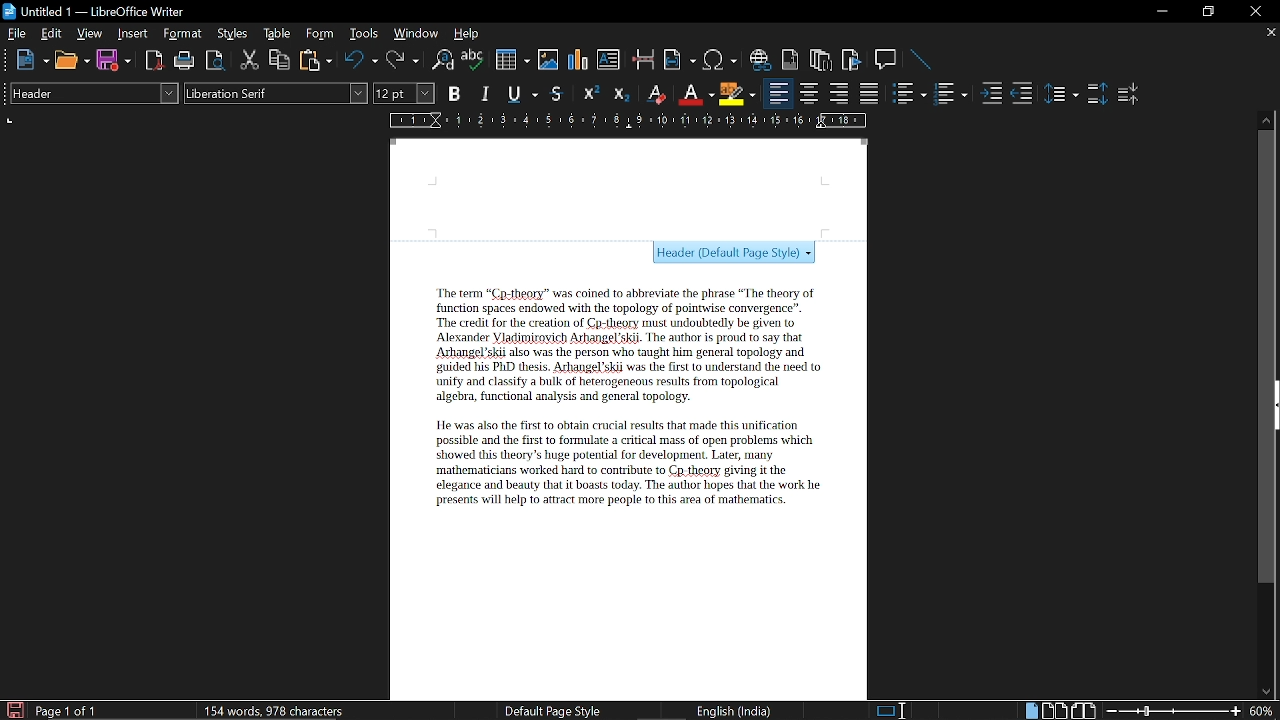 The image size is (1280, 720). I want to click on Insert page break, so click(642, 60).